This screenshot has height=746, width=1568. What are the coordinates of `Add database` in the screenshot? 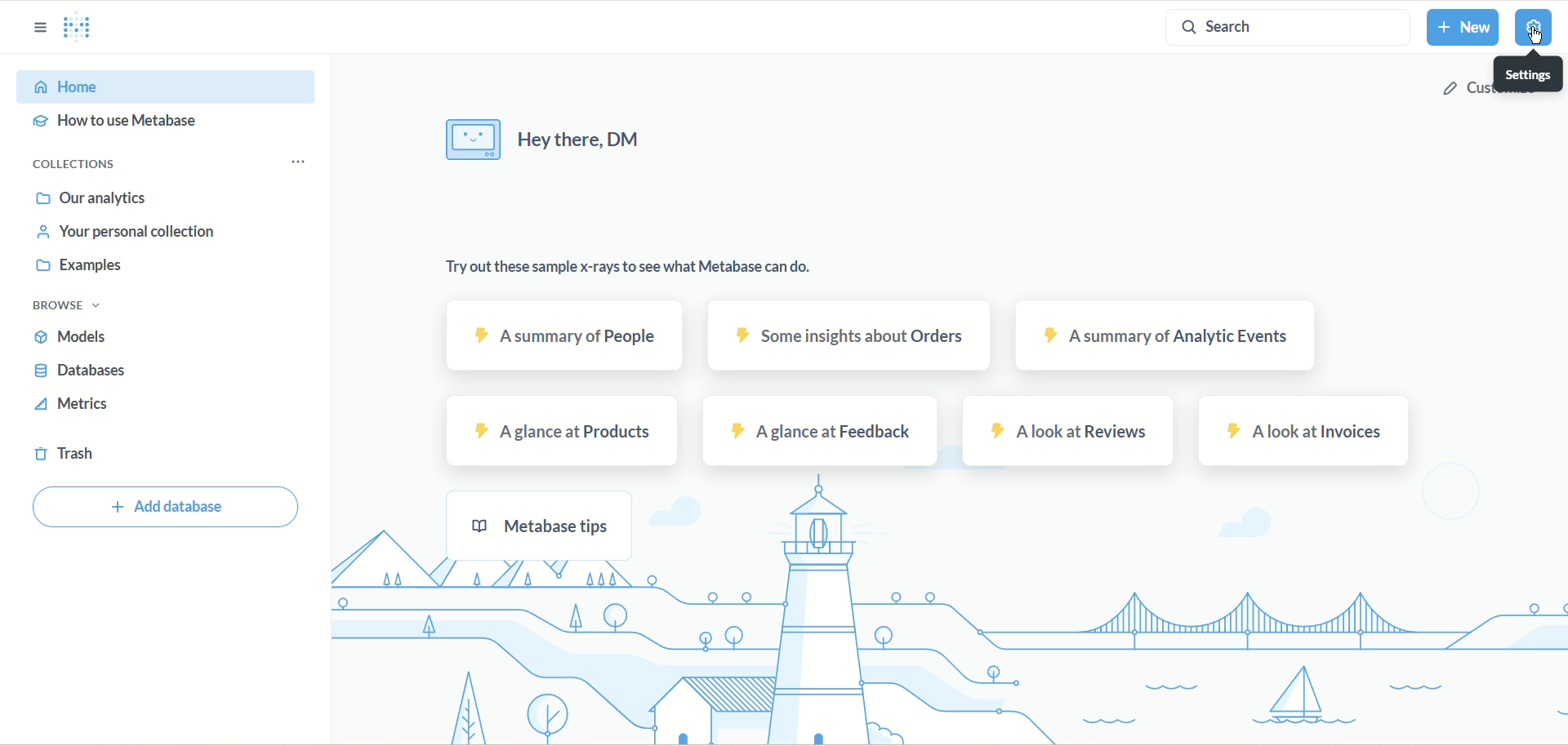 It's located at (160, 508).